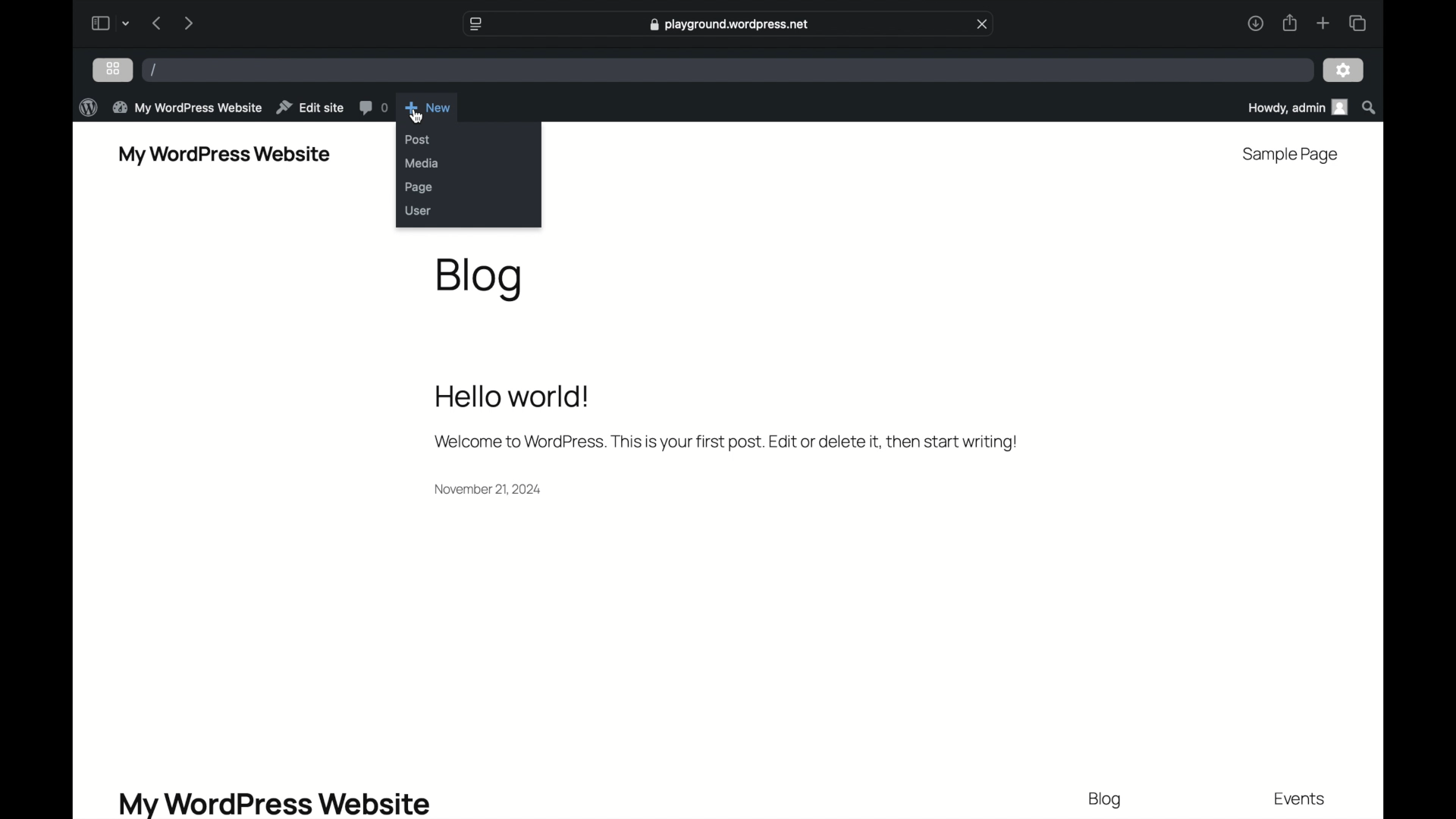  I want to click on media, so click(422, 163).